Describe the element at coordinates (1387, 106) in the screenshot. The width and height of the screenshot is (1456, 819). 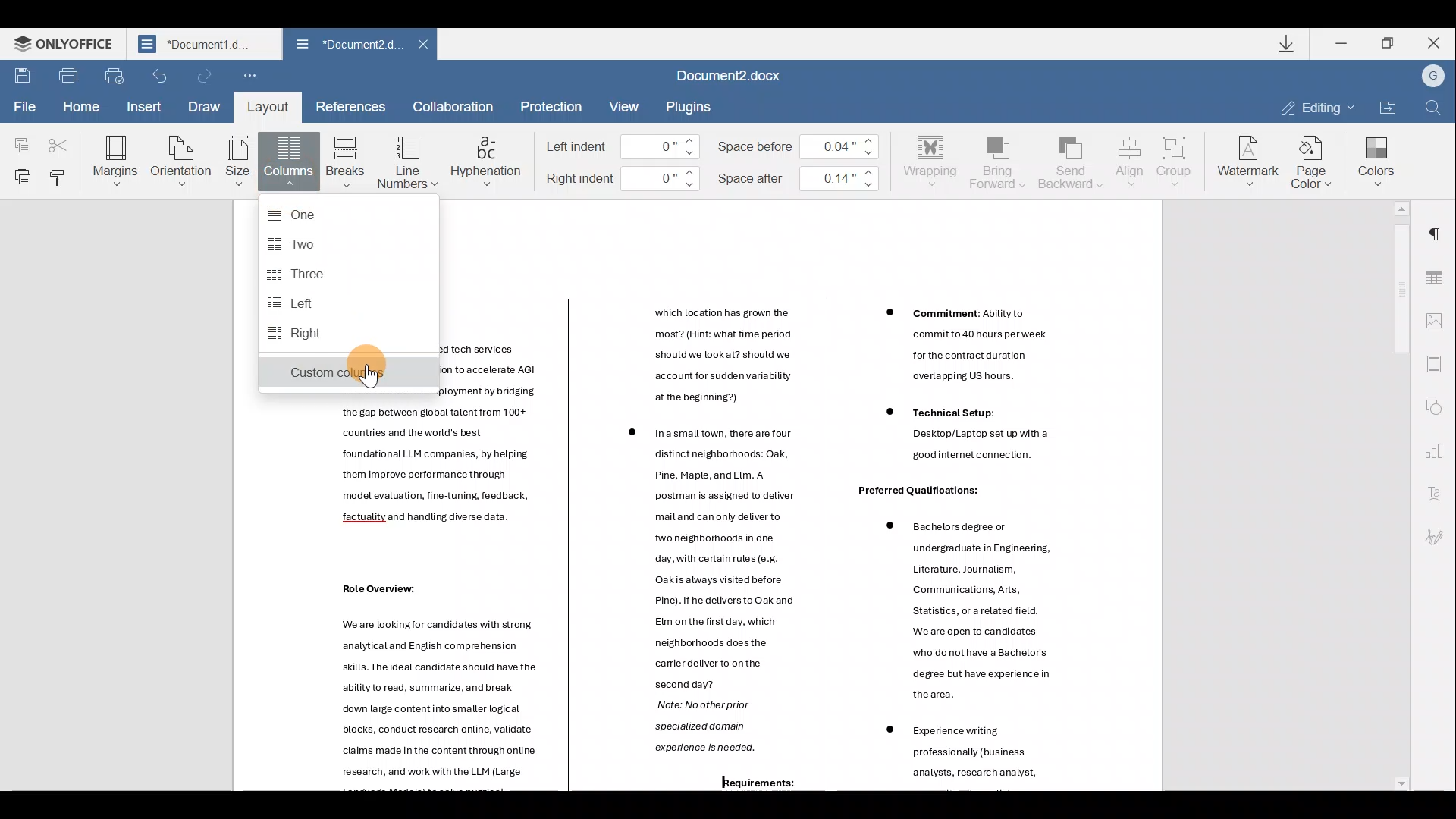
I see `Open file location` at that location.